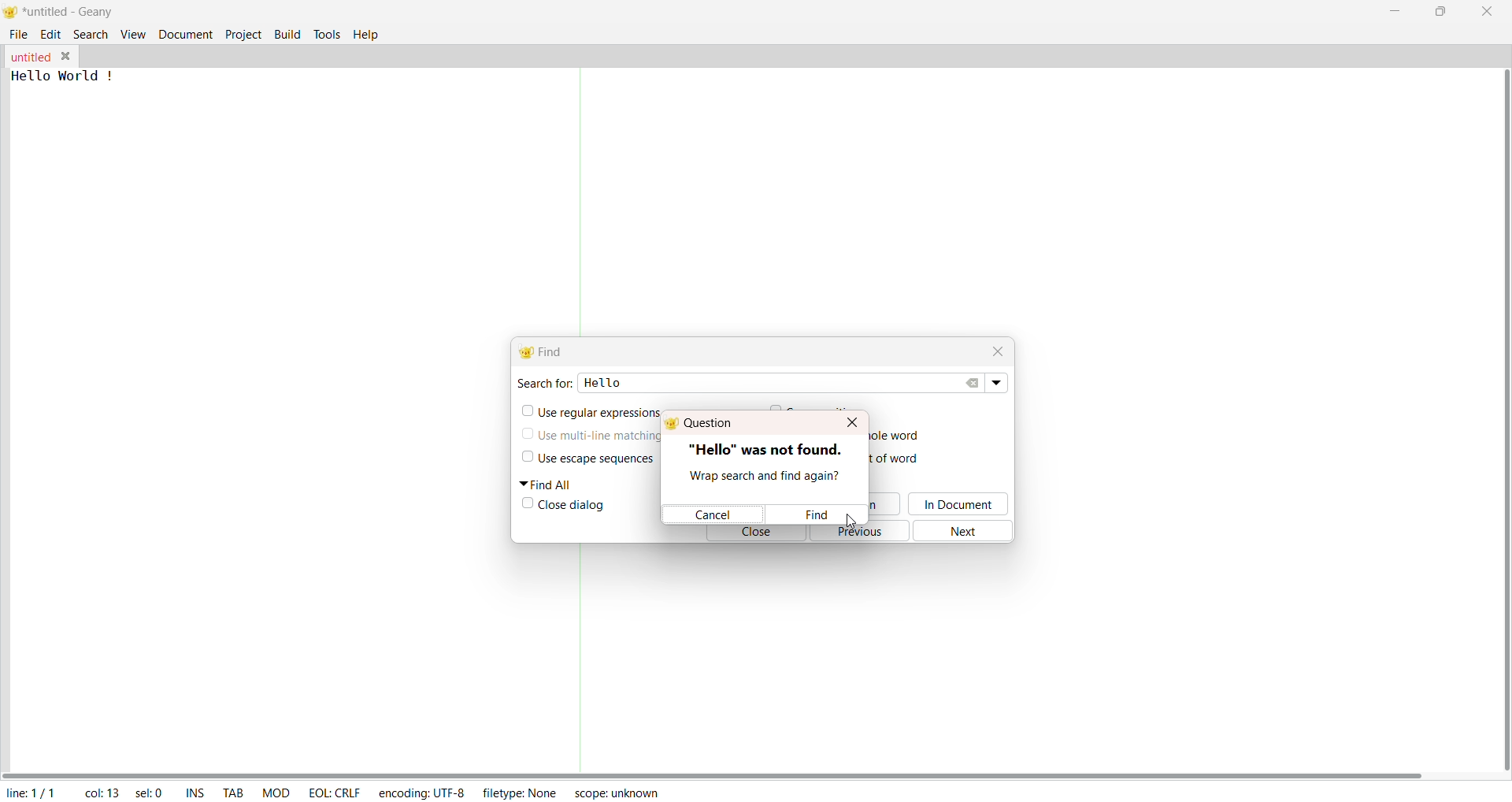 This screenshot has width=1512, height=802. I want to click on Encoding, so click(421, 791).